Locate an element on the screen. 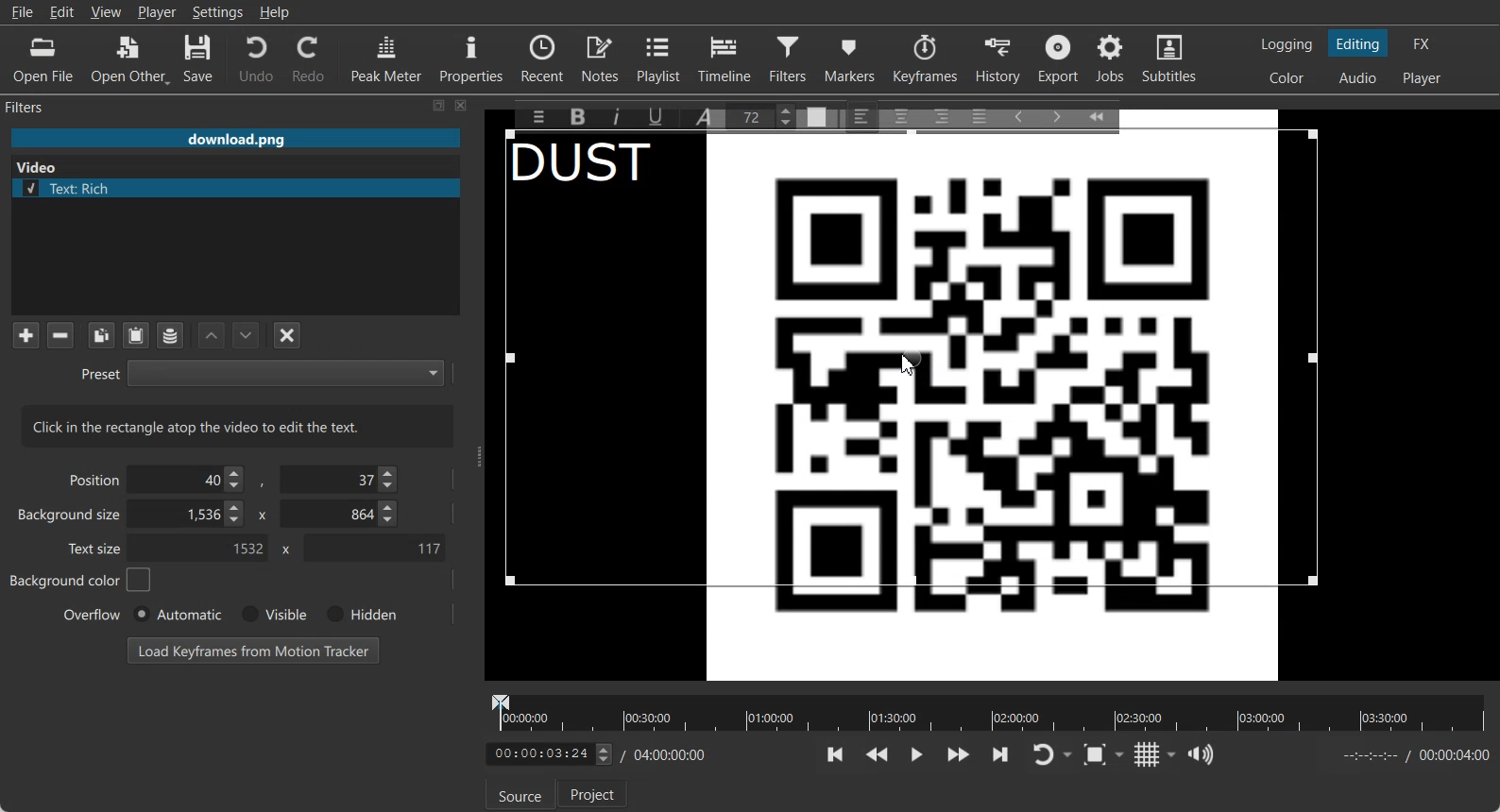 The width and height of the screenshot is (1500, 812). Collapse Toolbar is located at coordinates (1105, 113).